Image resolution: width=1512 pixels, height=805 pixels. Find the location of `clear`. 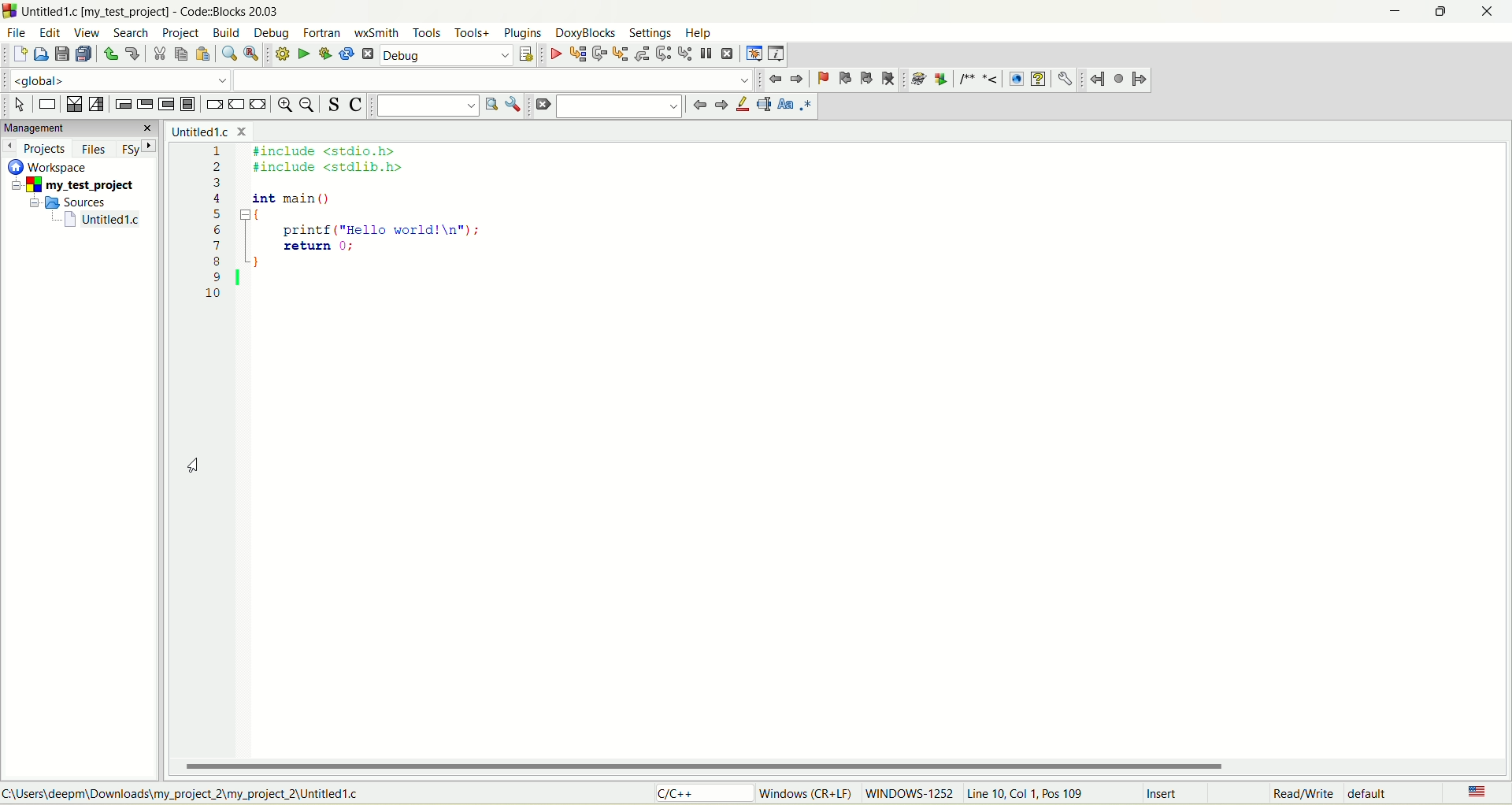

clear is located at coordinates (540, 106).